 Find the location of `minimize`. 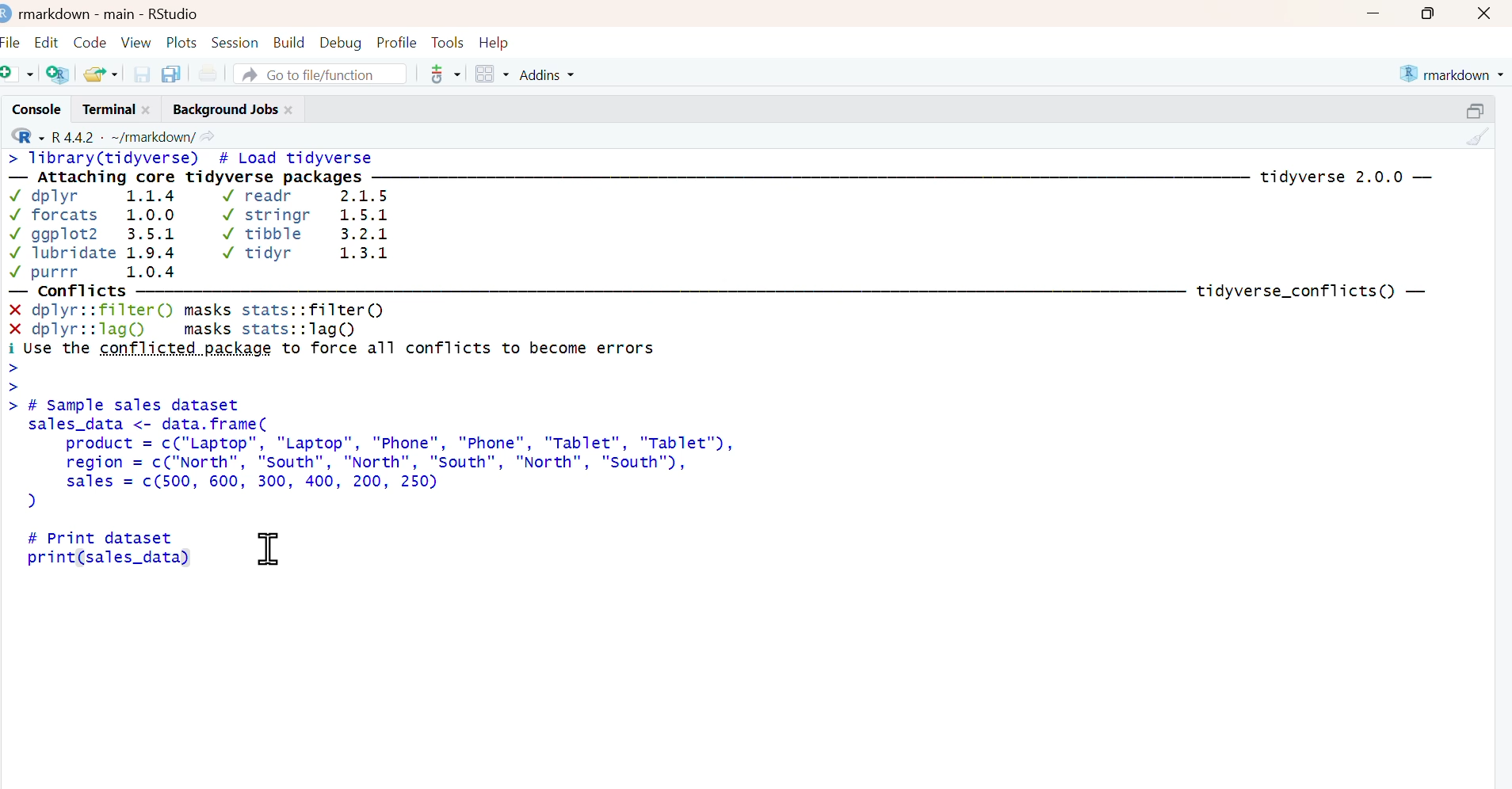

minimize is located at coordinates (1373, 13).